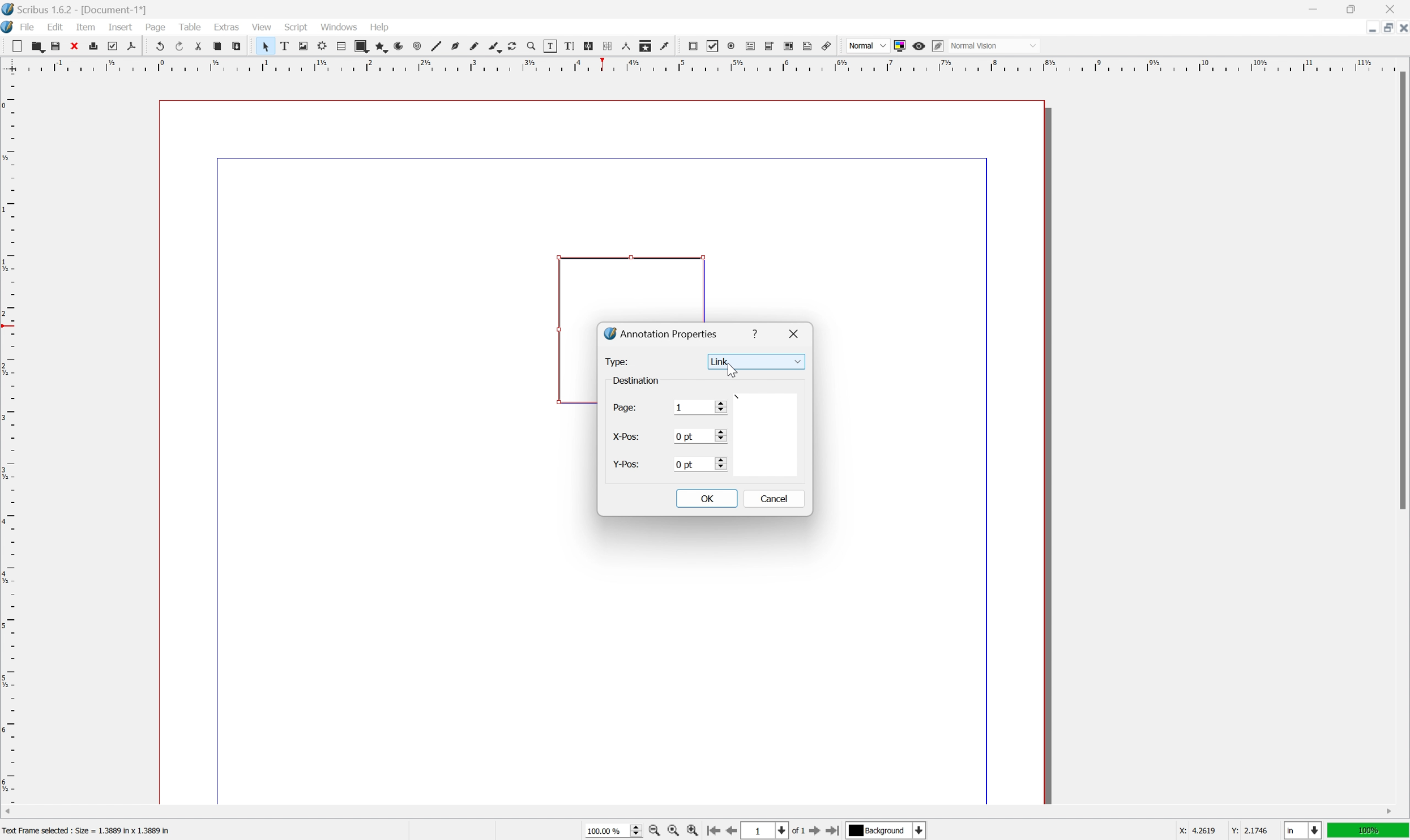 This screenshot has width=1410, height=840. I want to click on go to last page, so click(835, 830).